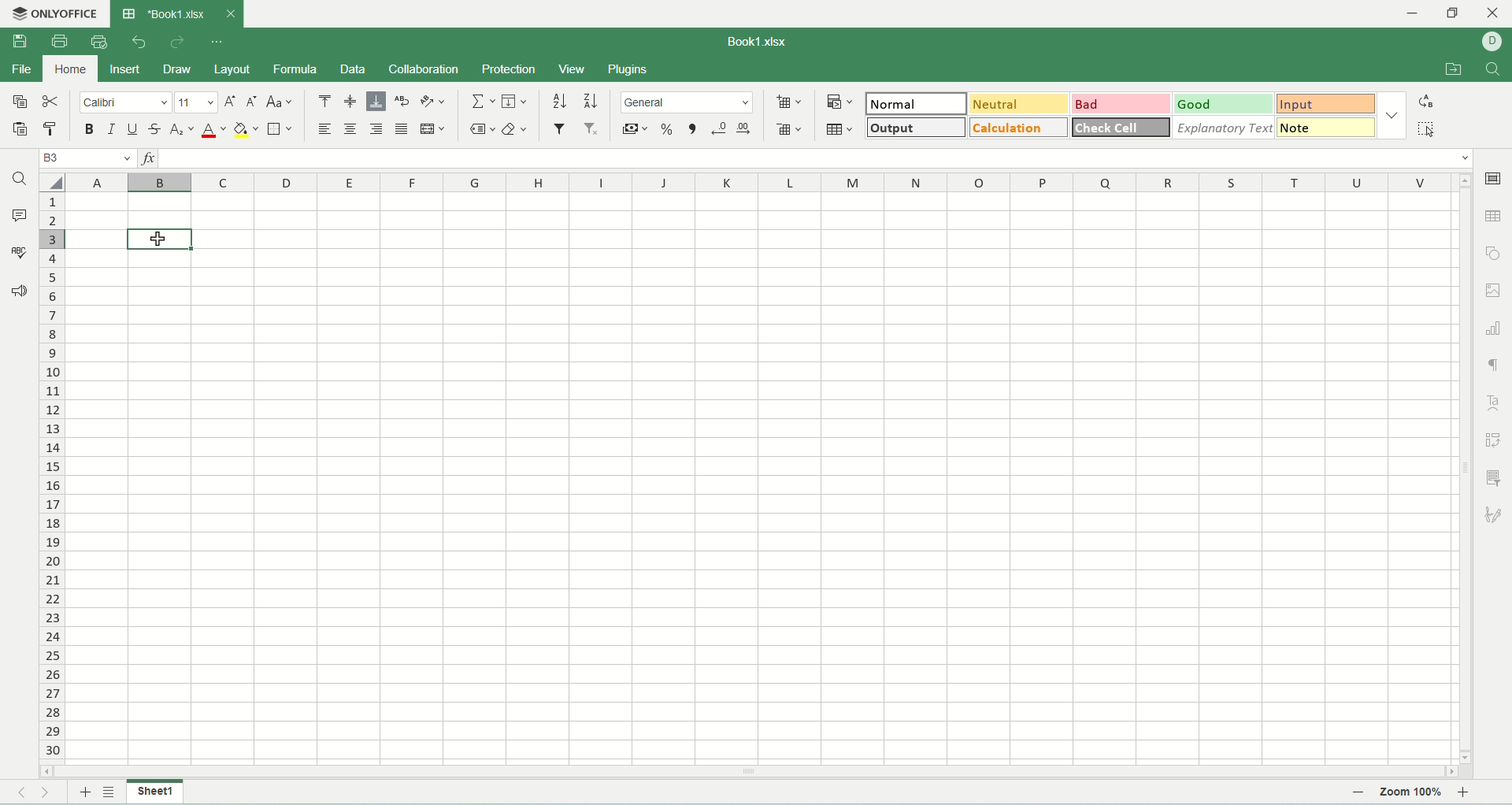  Describe the element at coordinates (1358, 792) in the screenshot. I see `zoom out` at that location.